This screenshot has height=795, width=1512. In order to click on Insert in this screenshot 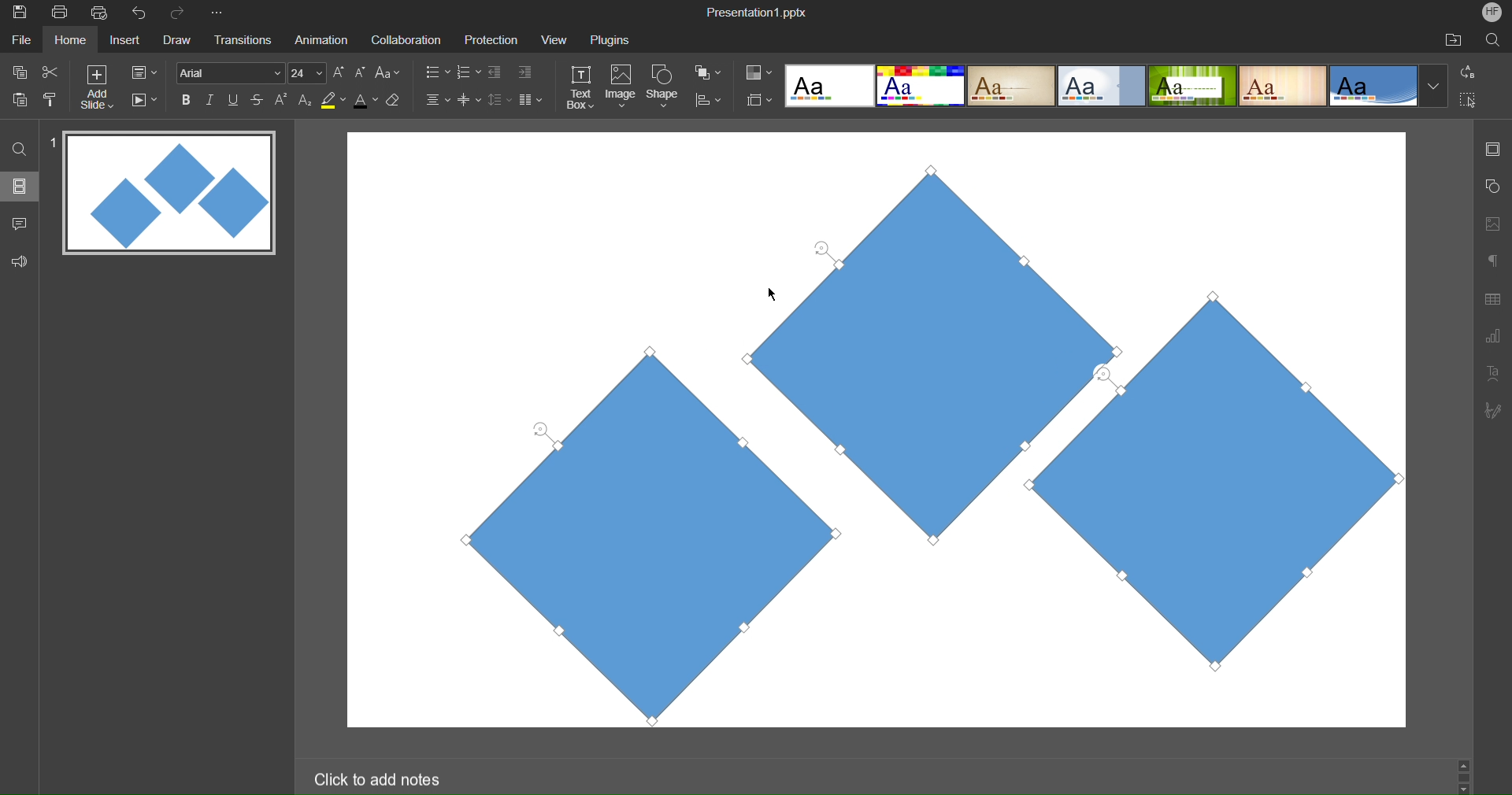, I will do `click(123, 41)`.